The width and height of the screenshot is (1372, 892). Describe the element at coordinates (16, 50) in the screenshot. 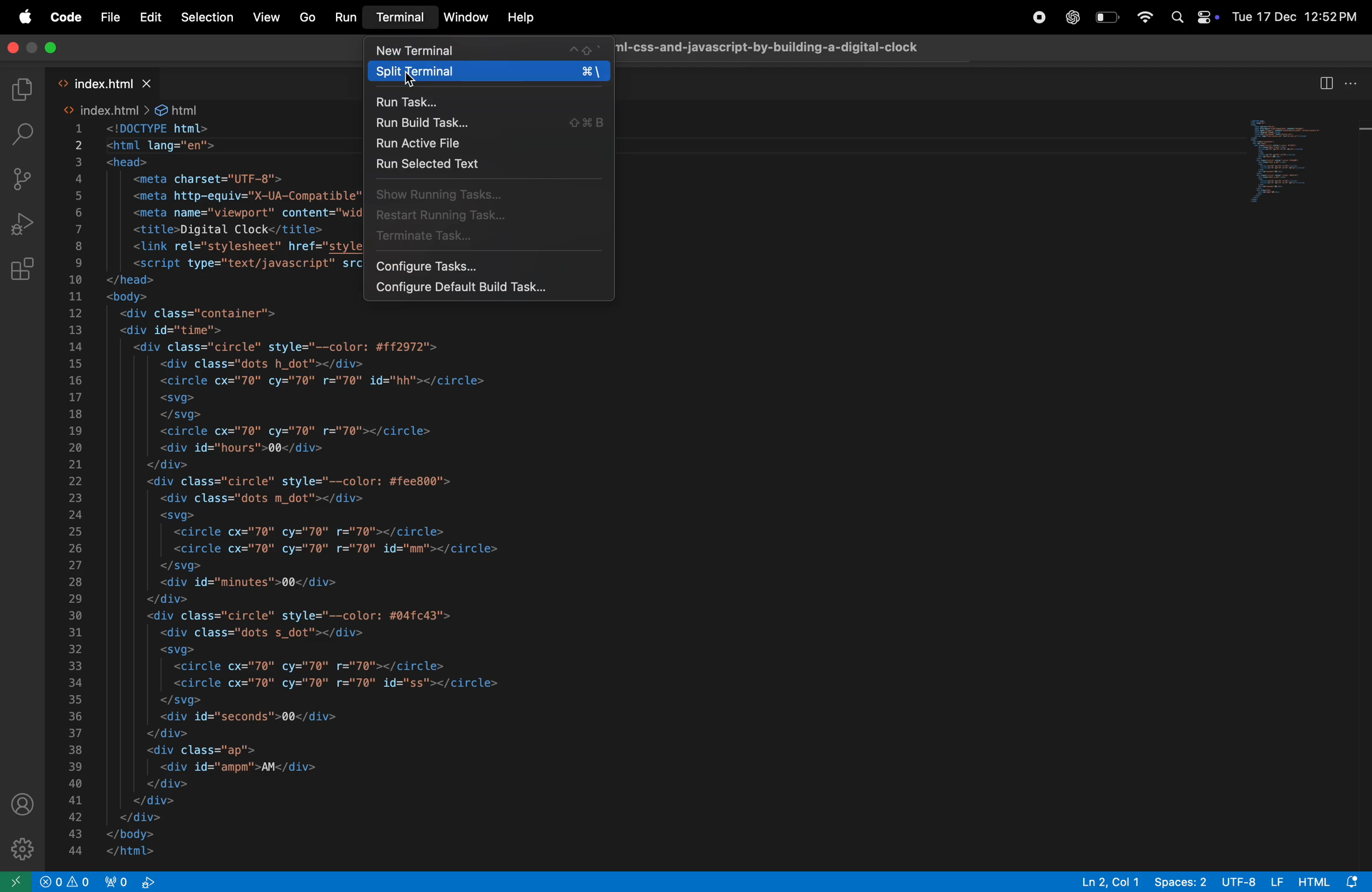

I see `close` at that location.